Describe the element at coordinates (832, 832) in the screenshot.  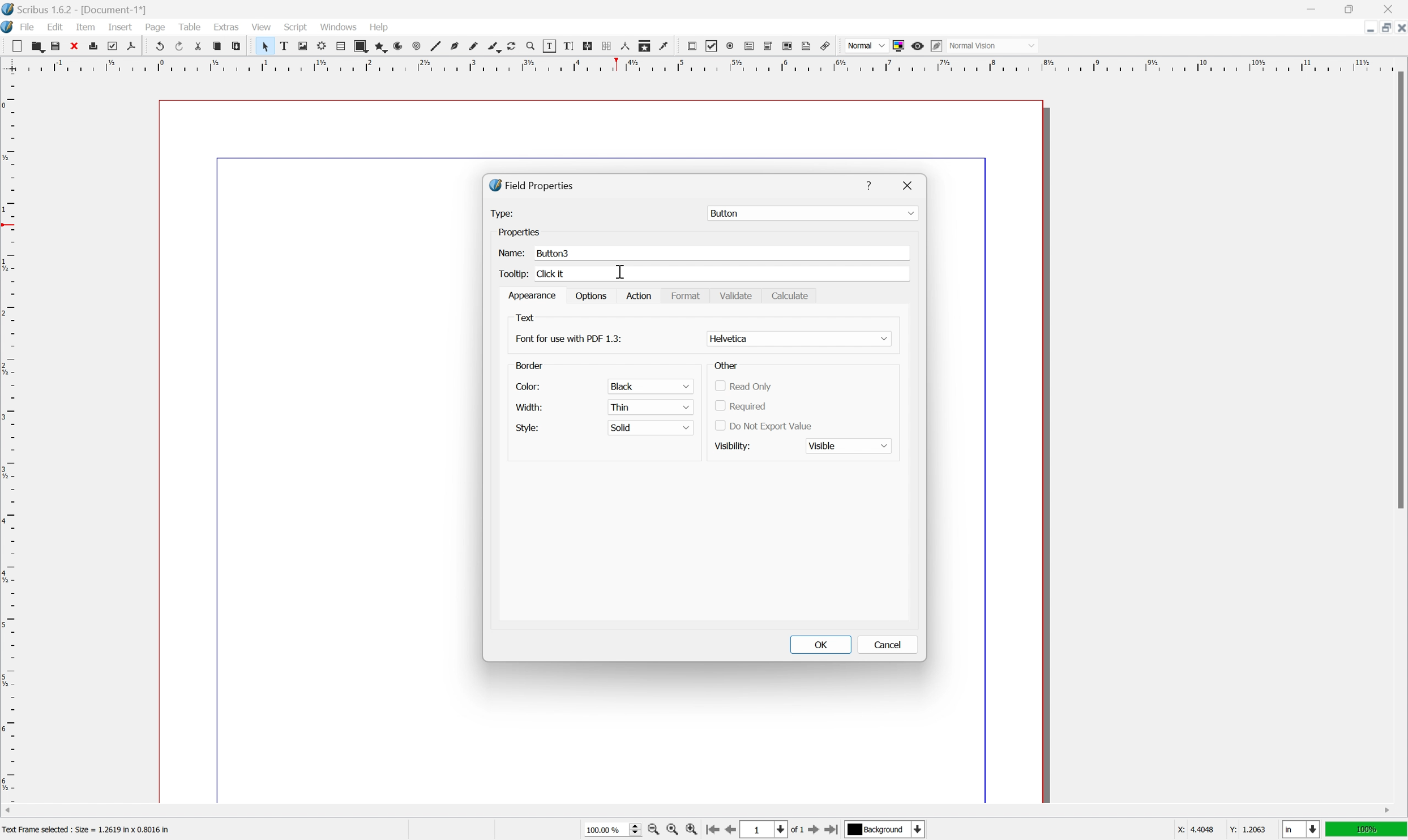
I see `go to last page` at that location.